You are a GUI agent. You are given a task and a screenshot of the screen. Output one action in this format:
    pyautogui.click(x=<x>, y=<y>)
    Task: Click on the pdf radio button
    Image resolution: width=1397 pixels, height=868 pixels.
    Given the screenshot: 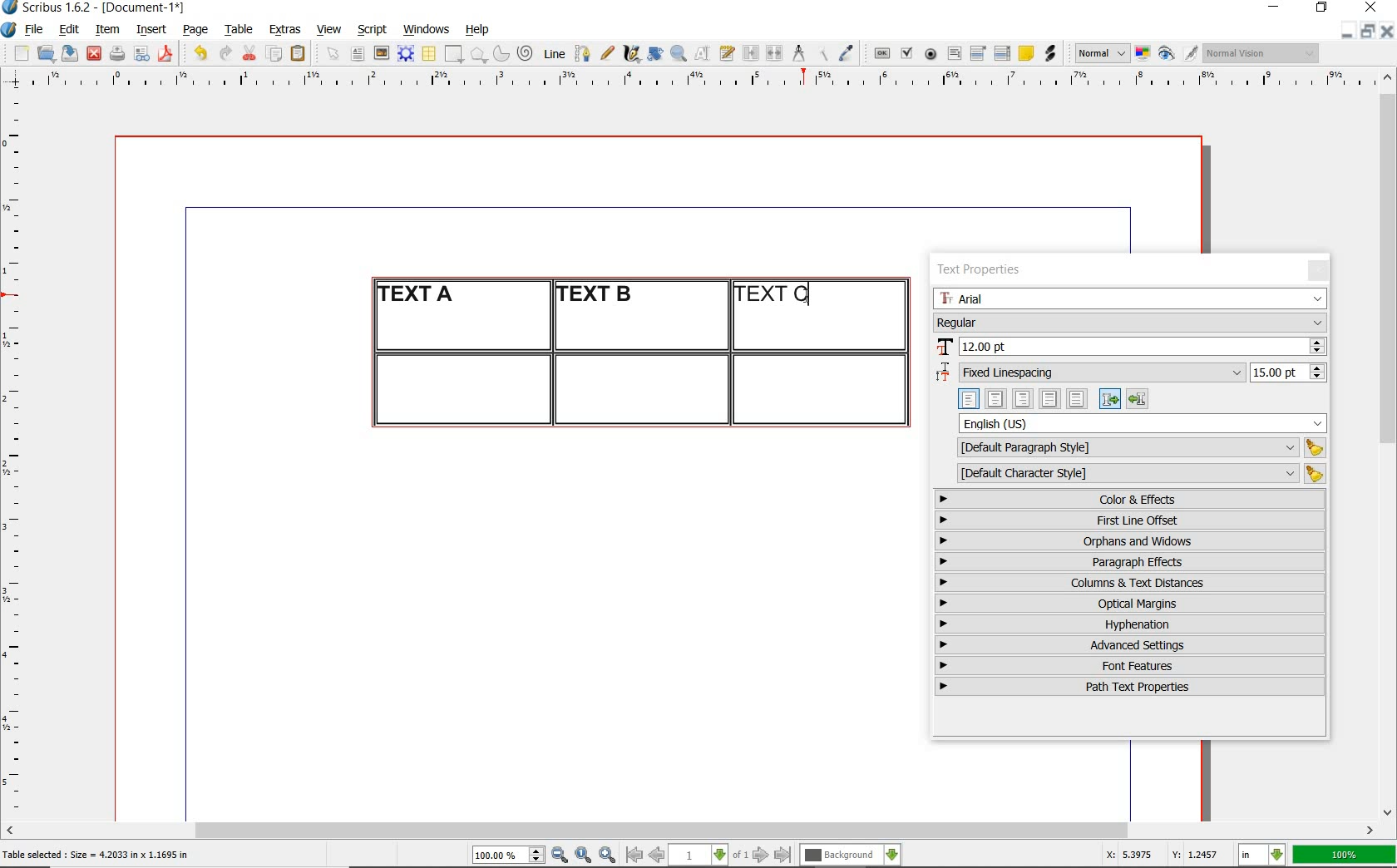 What is the action you would take?
    pyautogui.click(x=931, y=56)
    